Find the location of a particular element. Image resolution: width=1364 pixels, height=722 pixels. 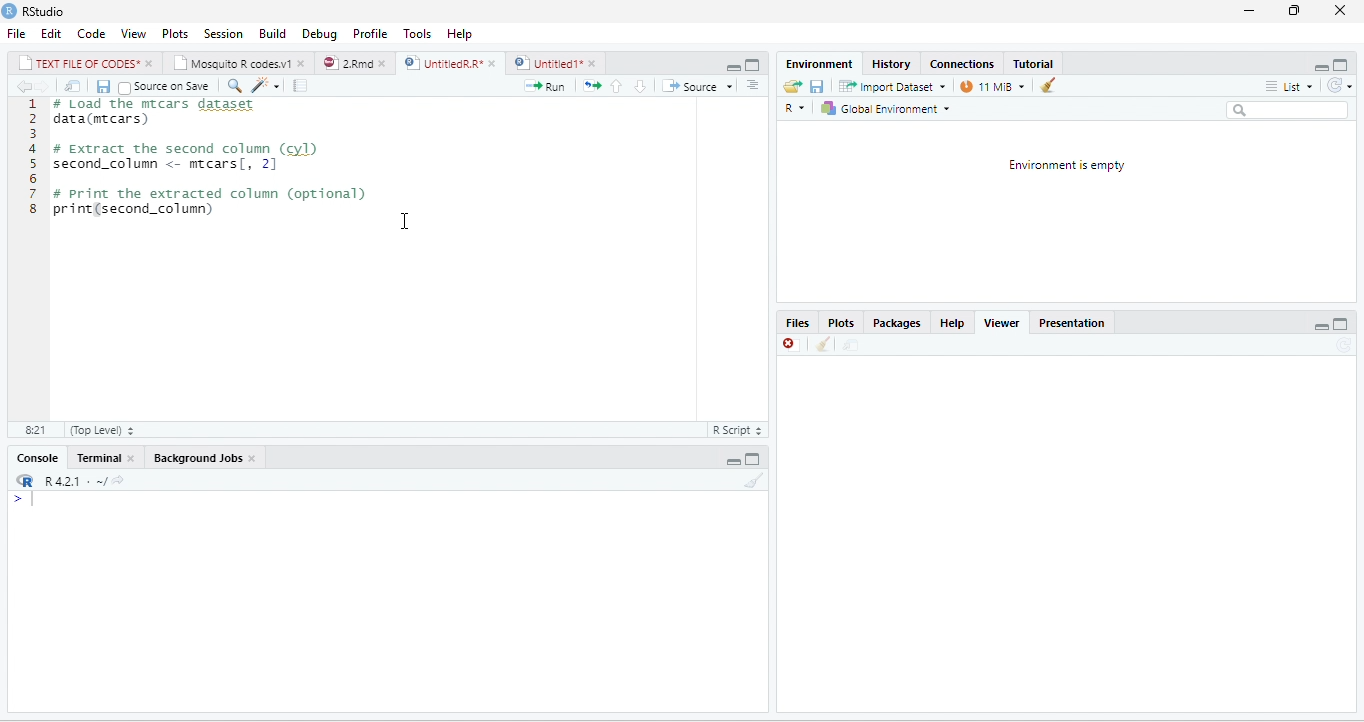

File is located at coordinates (15, 33).